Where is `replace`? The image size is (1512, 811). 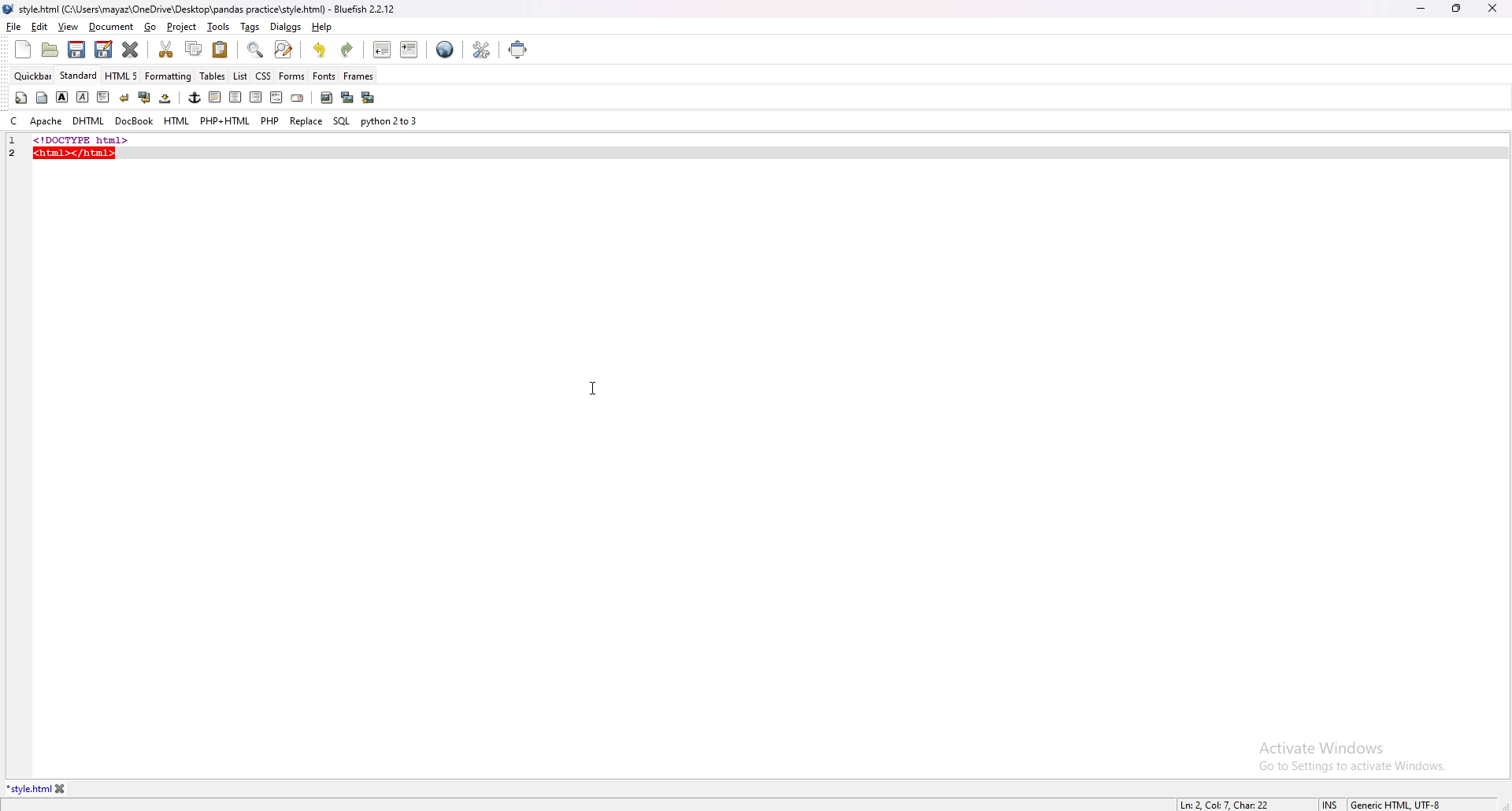
replace is located at coordinates (306, 120).